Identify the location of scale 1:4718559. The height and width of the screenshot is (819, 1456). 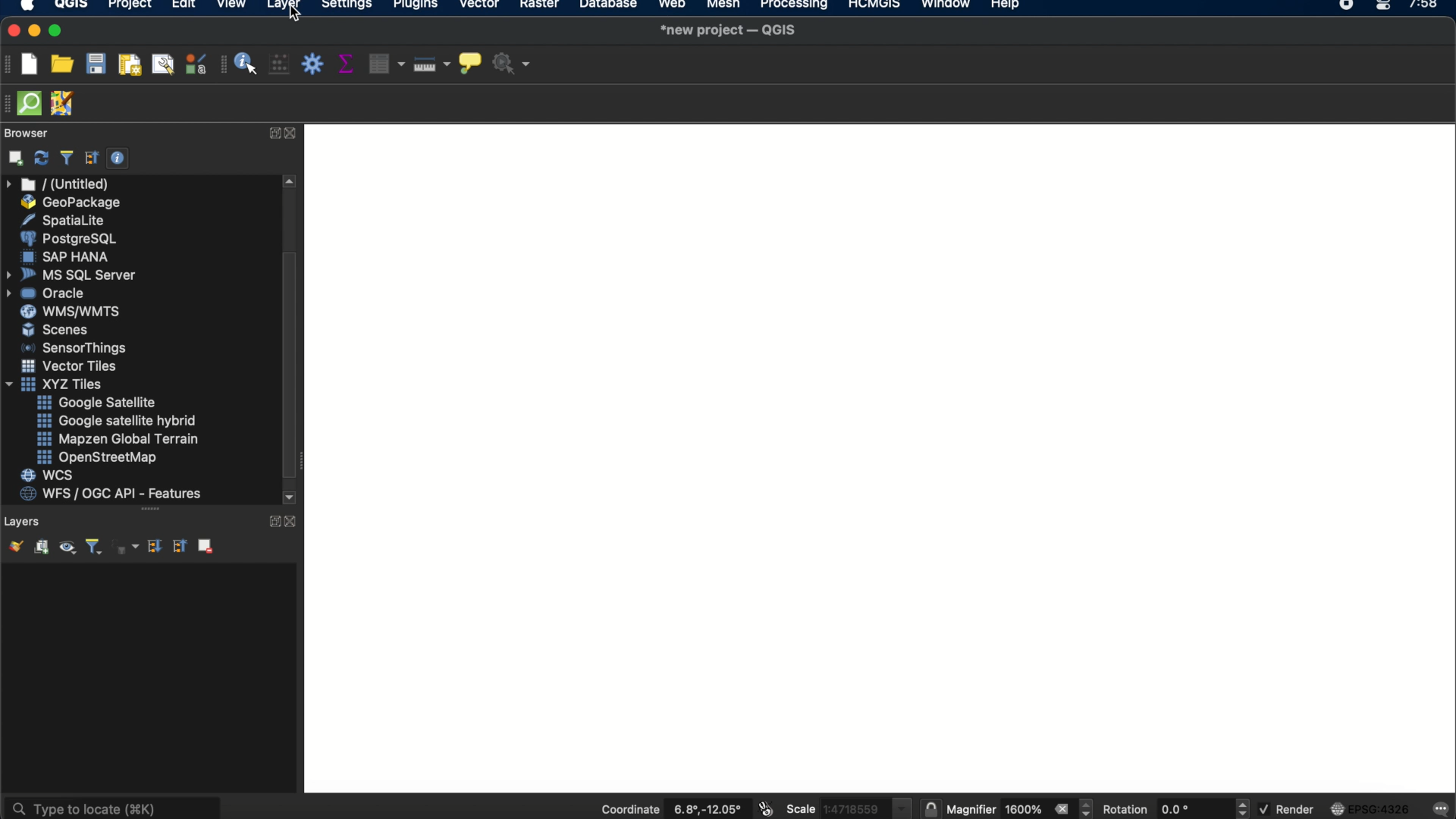
(849, 806).